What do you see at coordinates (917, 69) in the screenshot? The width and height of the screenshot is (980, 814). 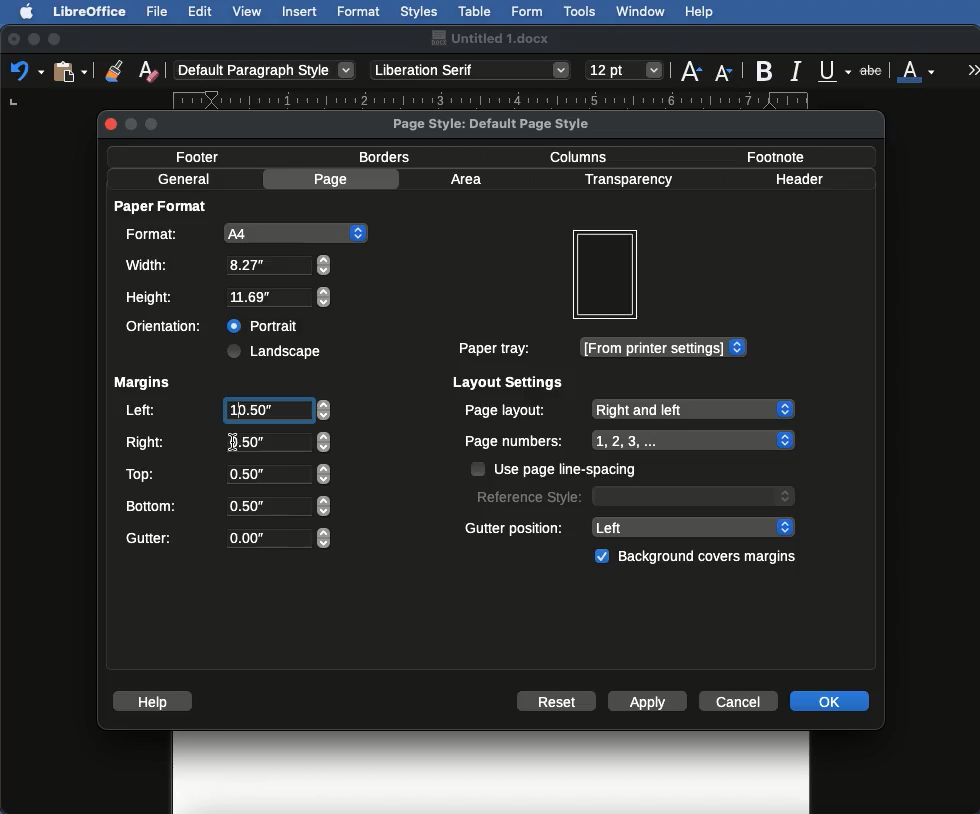 I see `Font color` at bounding box center [917, 69].